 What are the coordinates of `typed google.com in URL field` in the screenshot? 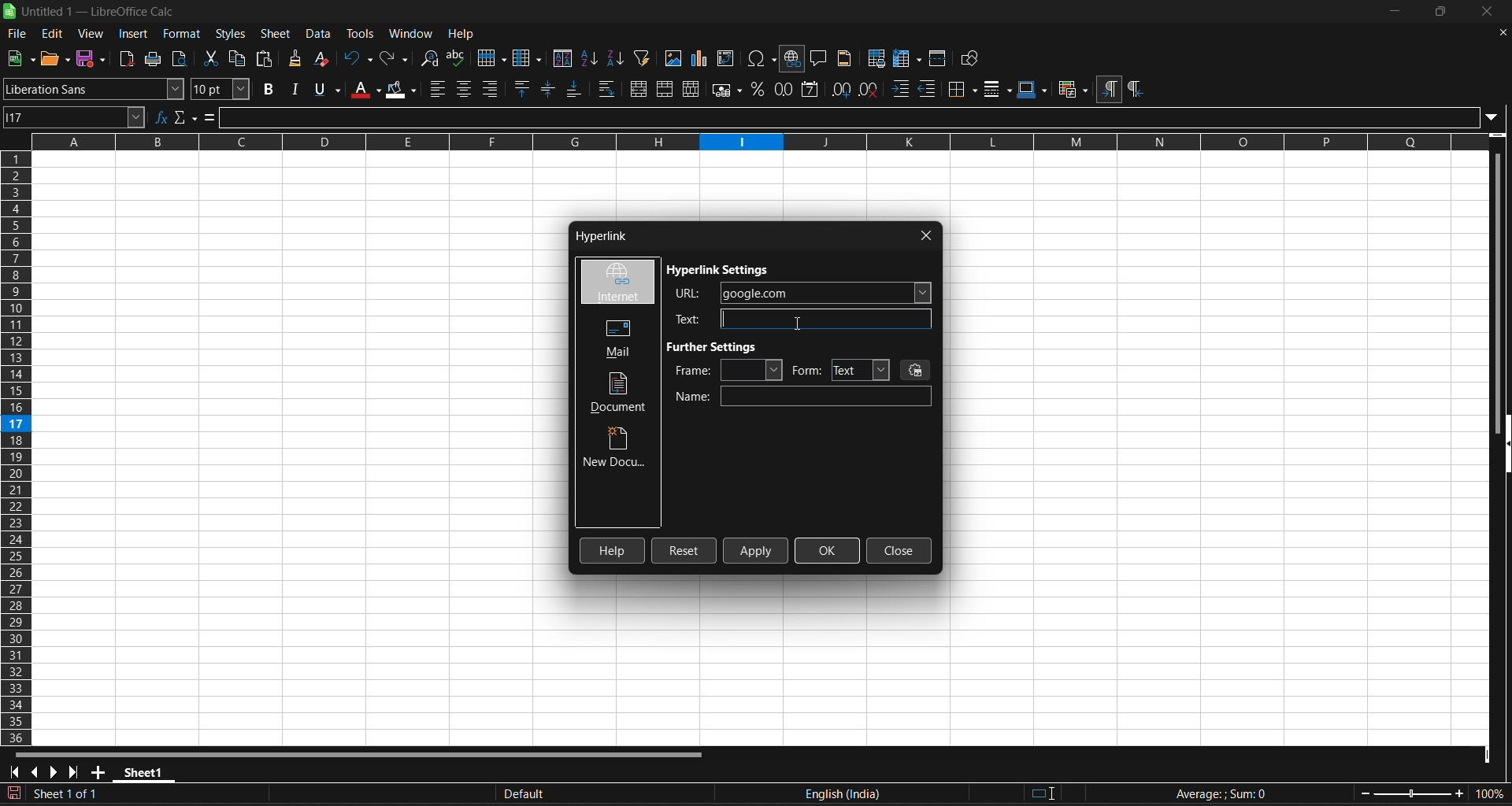 It's located at (803, 293).